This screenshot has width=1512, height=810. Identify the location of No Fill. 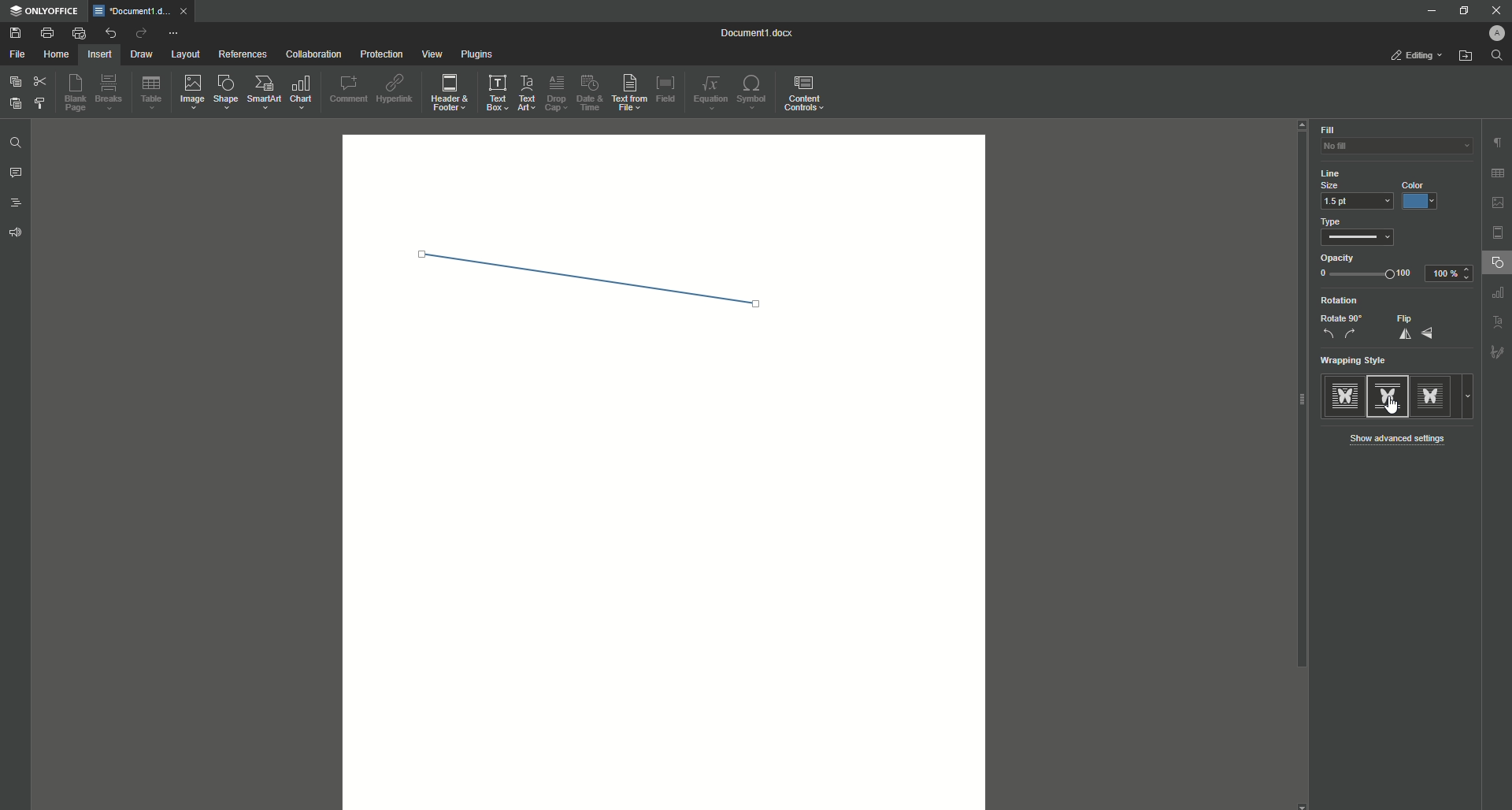
(1386, 151).